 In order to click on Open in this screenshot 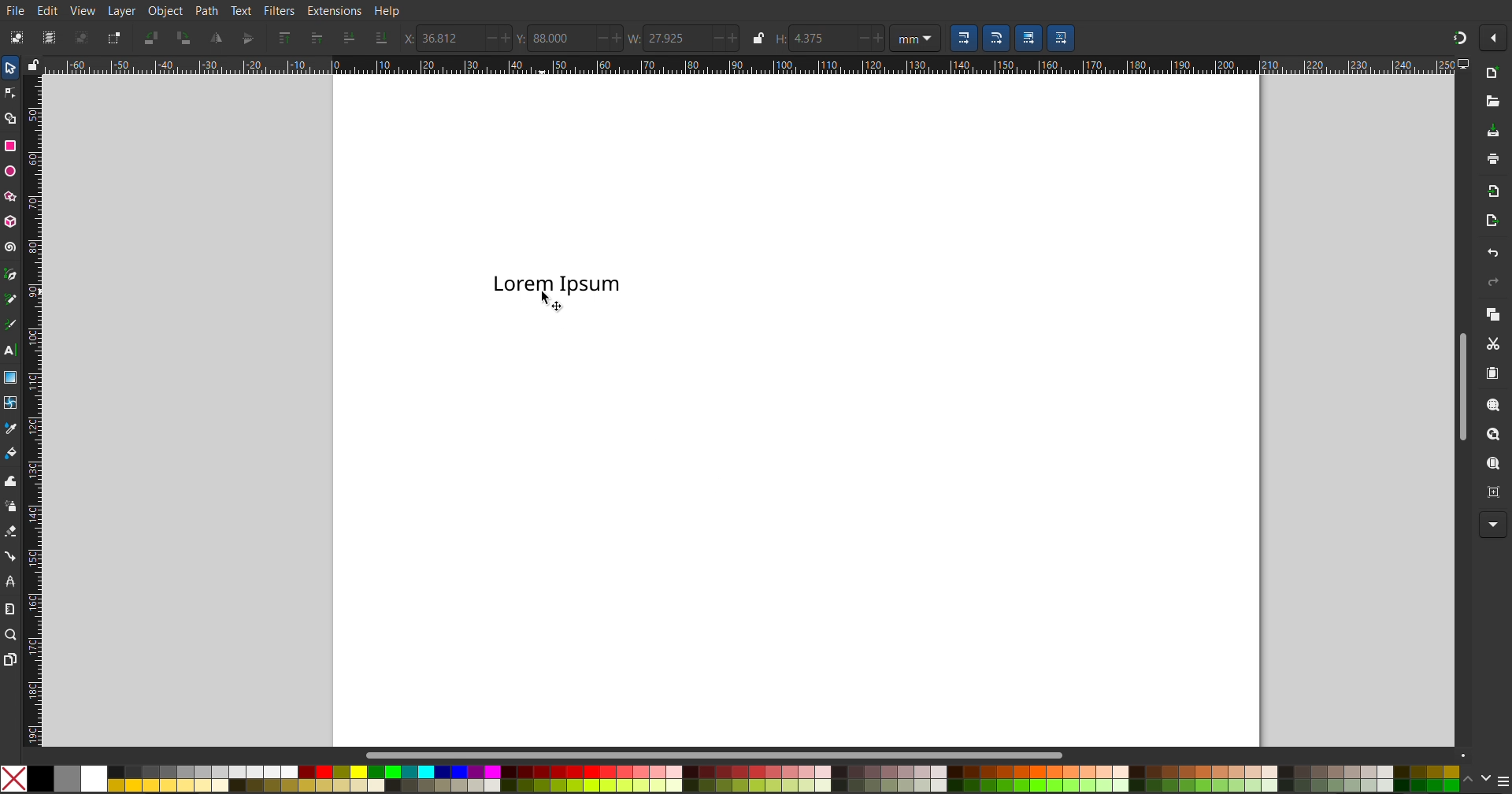, I will do `click(1492, 100)`.